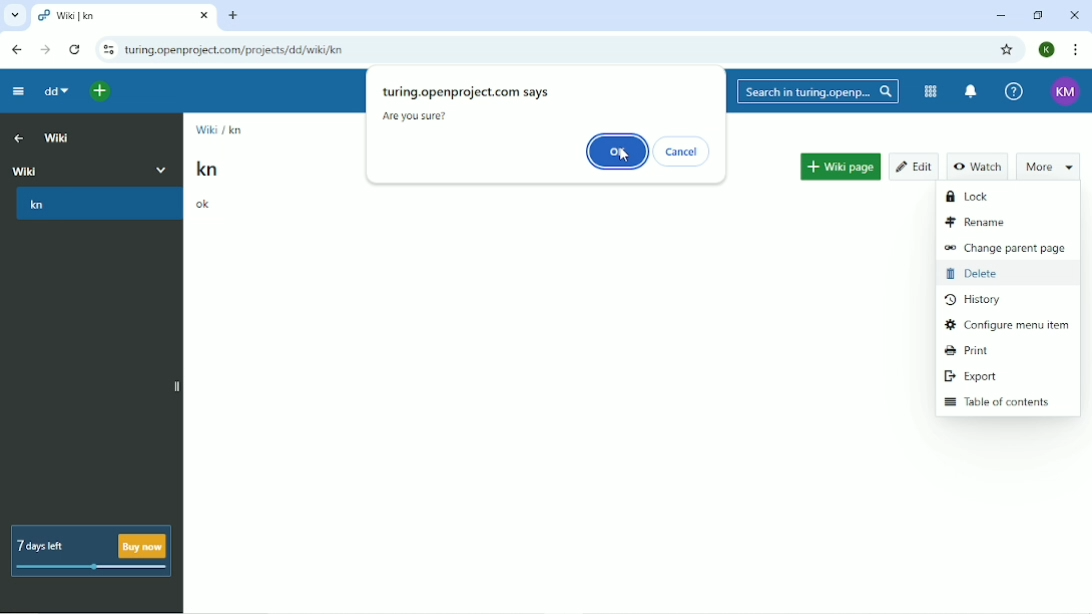 The image size is (1092, 614). I want to click on Restore down, so click(1036, 14).